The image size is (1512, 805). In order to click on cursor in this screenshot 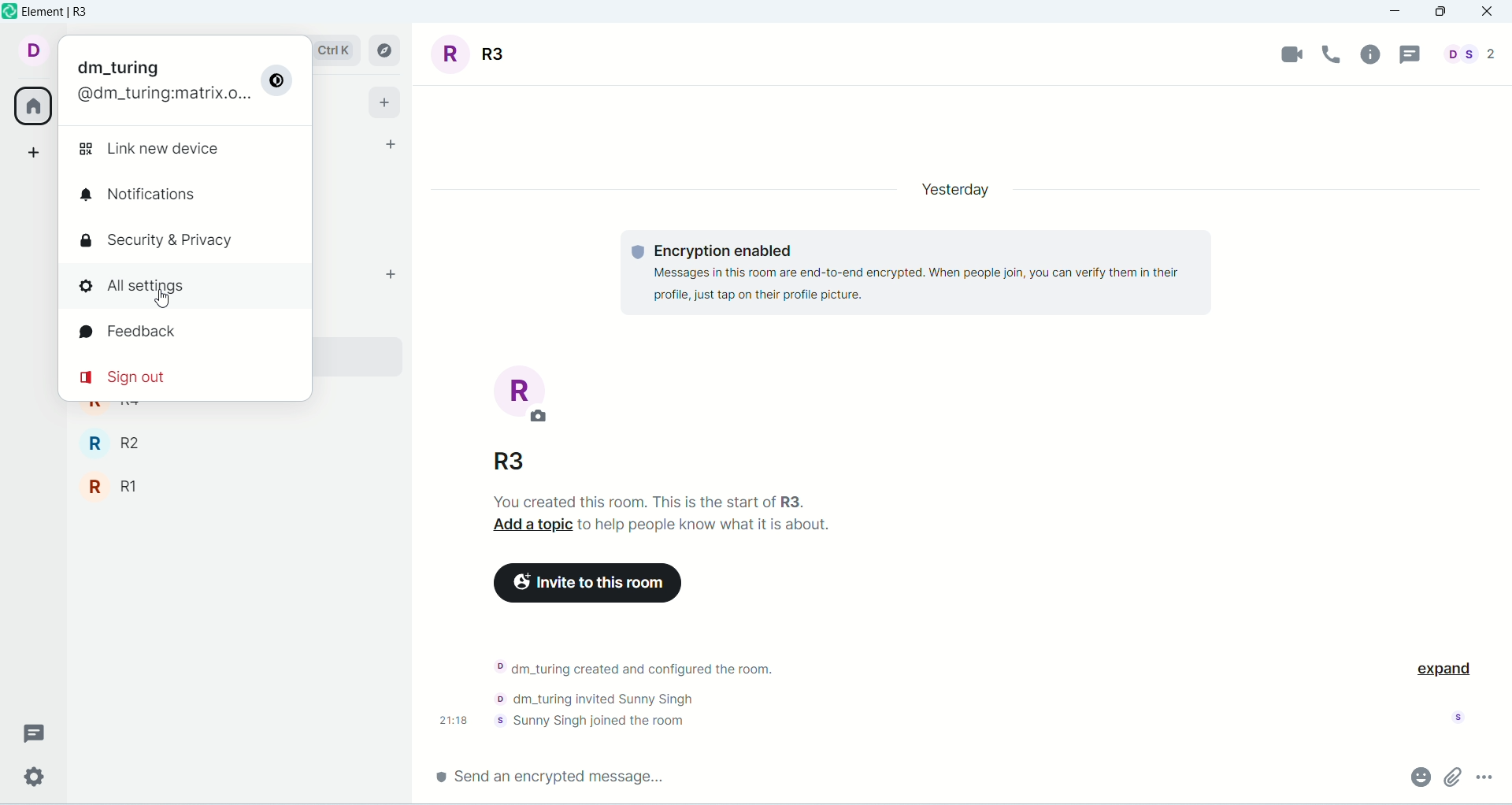, I will do `click(161, 300)`.